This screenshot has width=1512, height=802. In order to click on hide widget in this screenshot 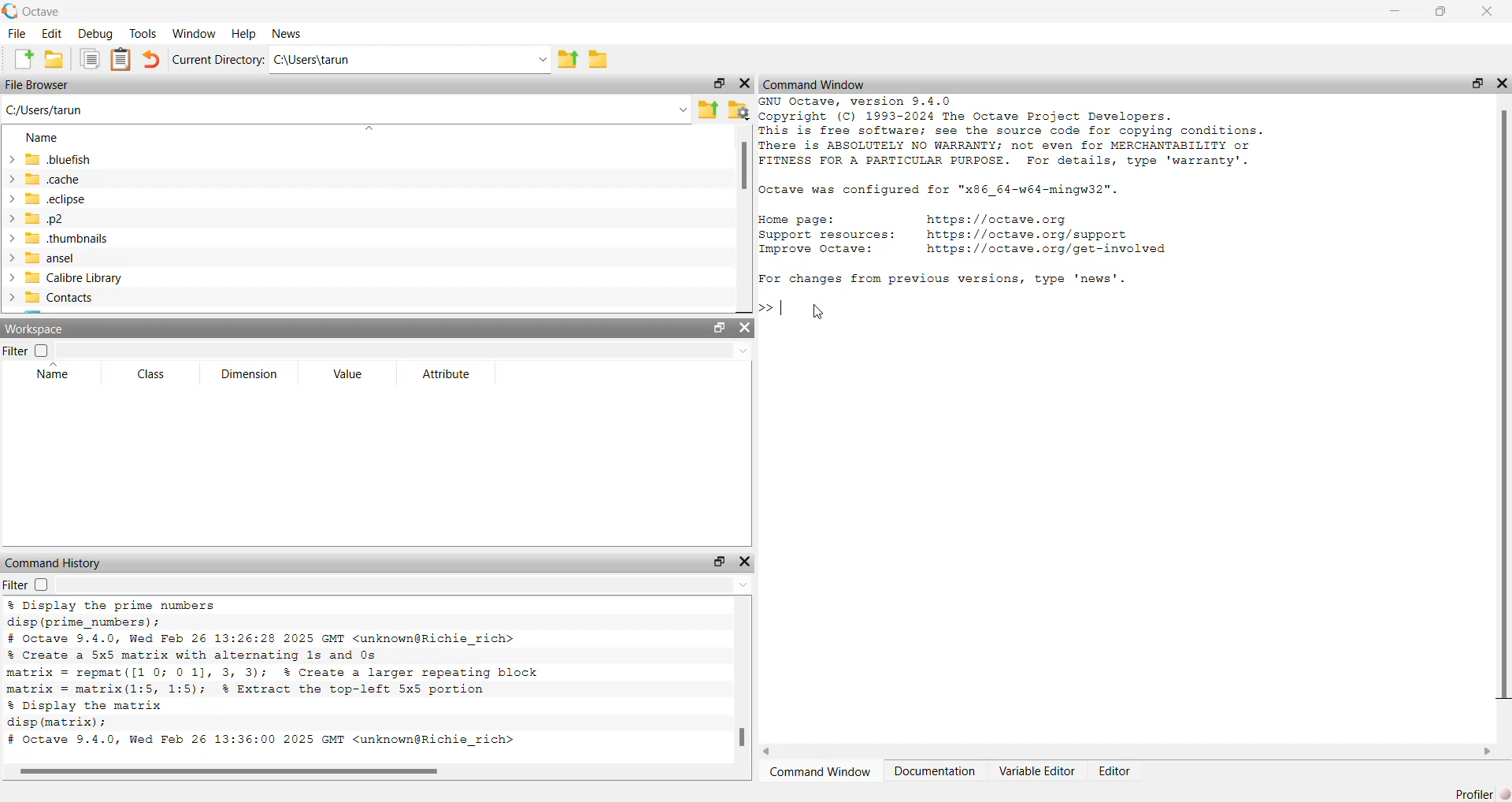, I will do `click(749, 561)`.